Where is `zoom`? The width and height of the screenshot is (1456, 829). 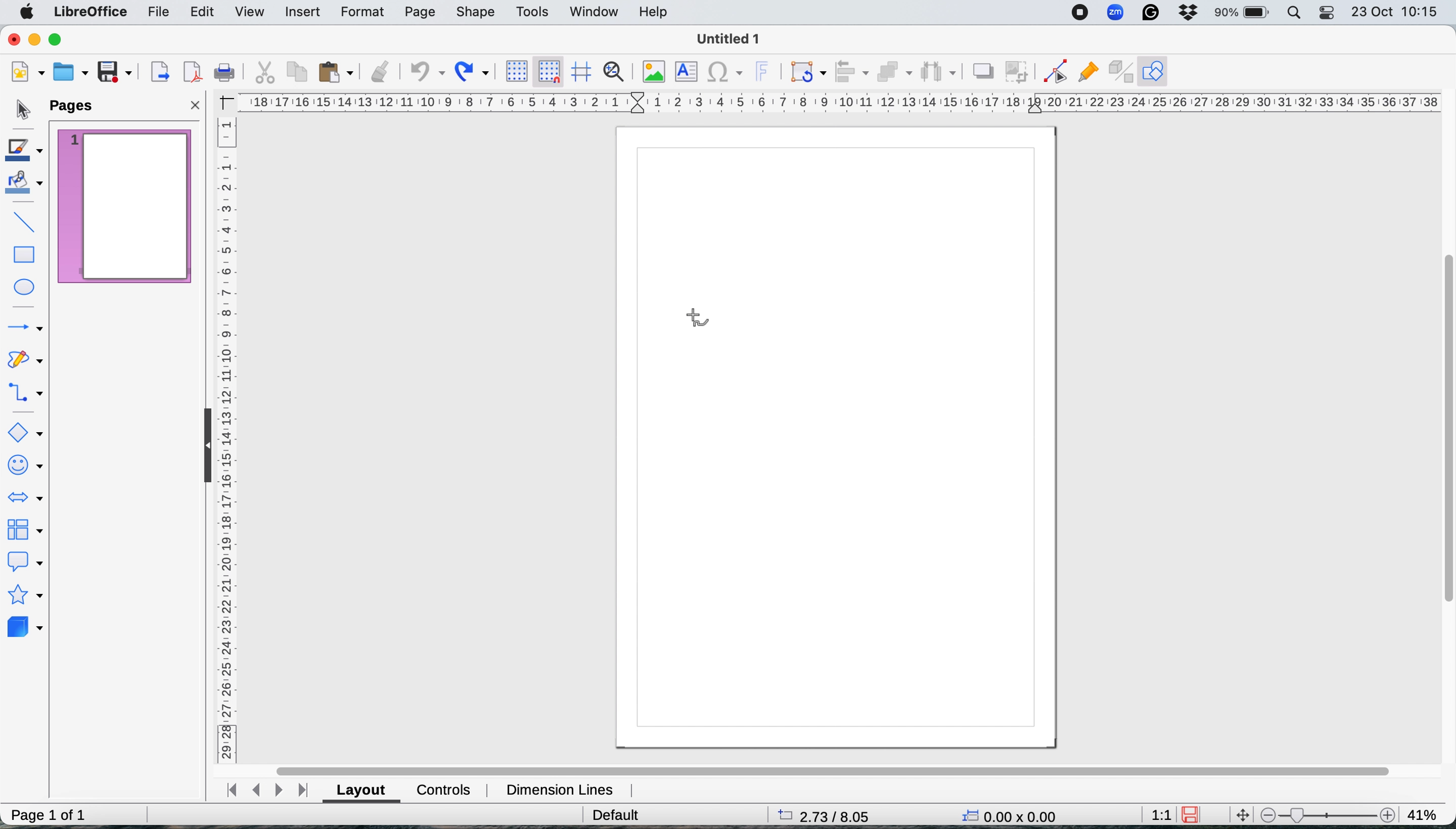
zoom is located at coordinates (1115, 14).